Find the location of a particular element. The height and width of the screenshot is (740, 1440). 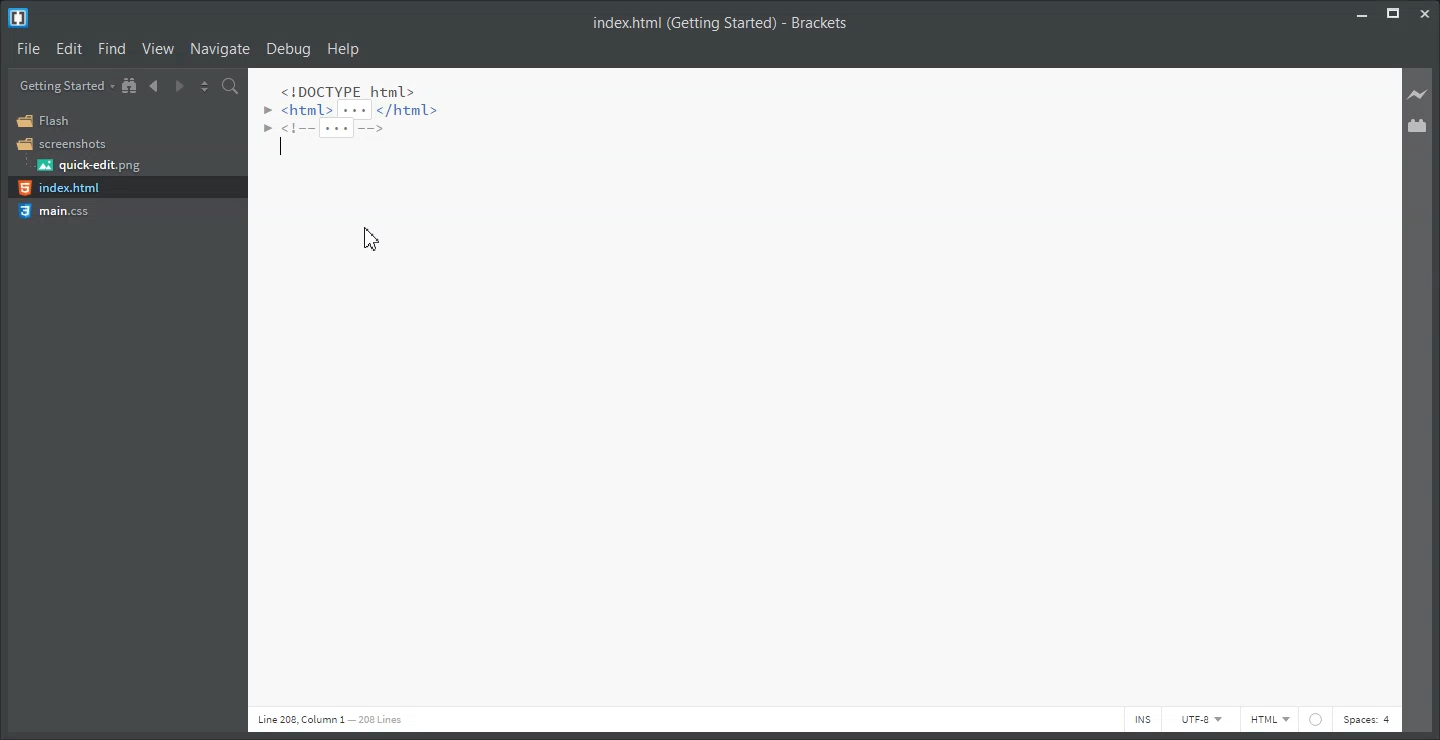

Split the editor vertically and horizontally is located at coordinates (204, 86).